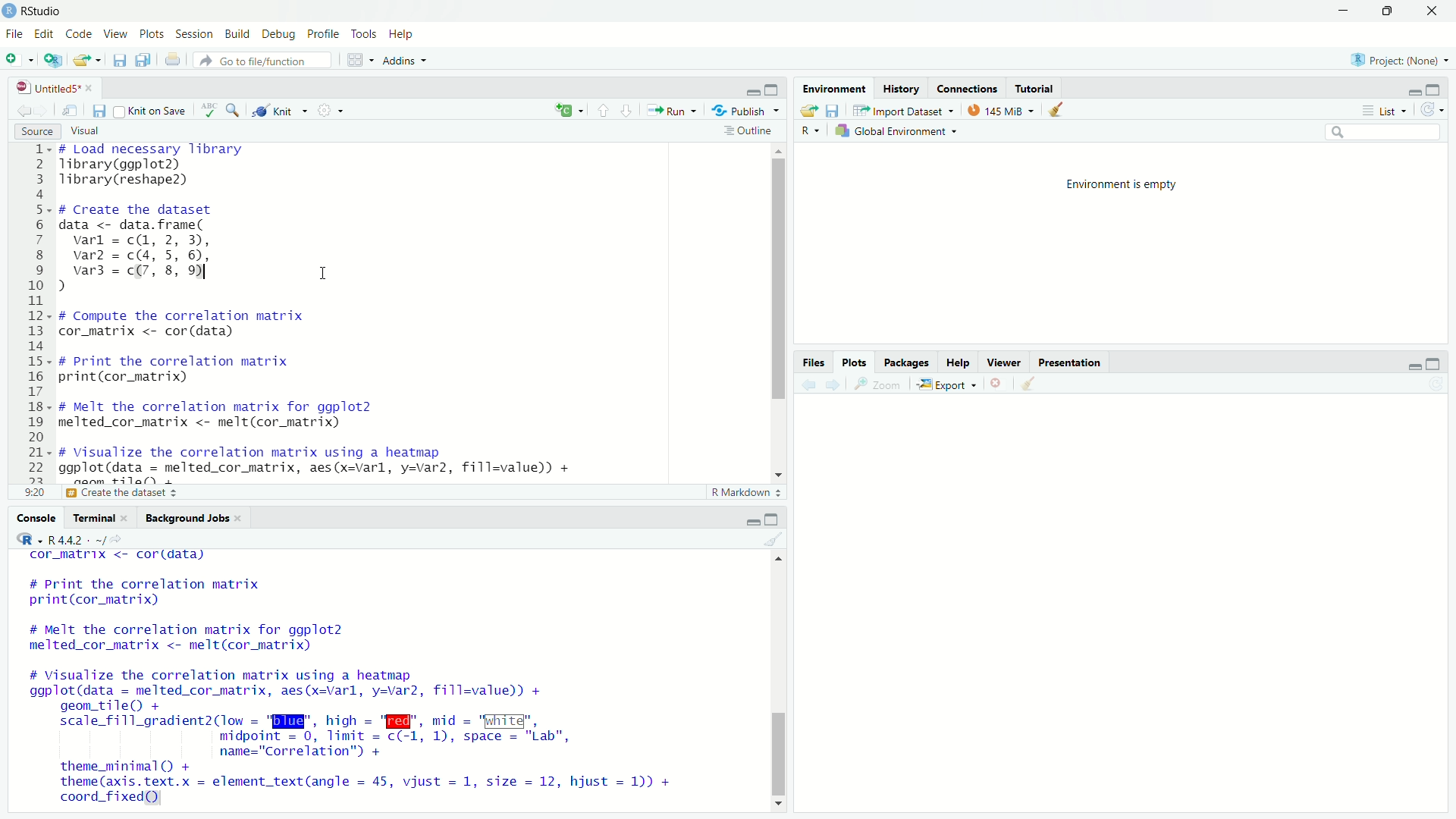  What do you see at coordinates (280, 33) in the screenshot?
I see `debug` at bounding box center [280, 33].